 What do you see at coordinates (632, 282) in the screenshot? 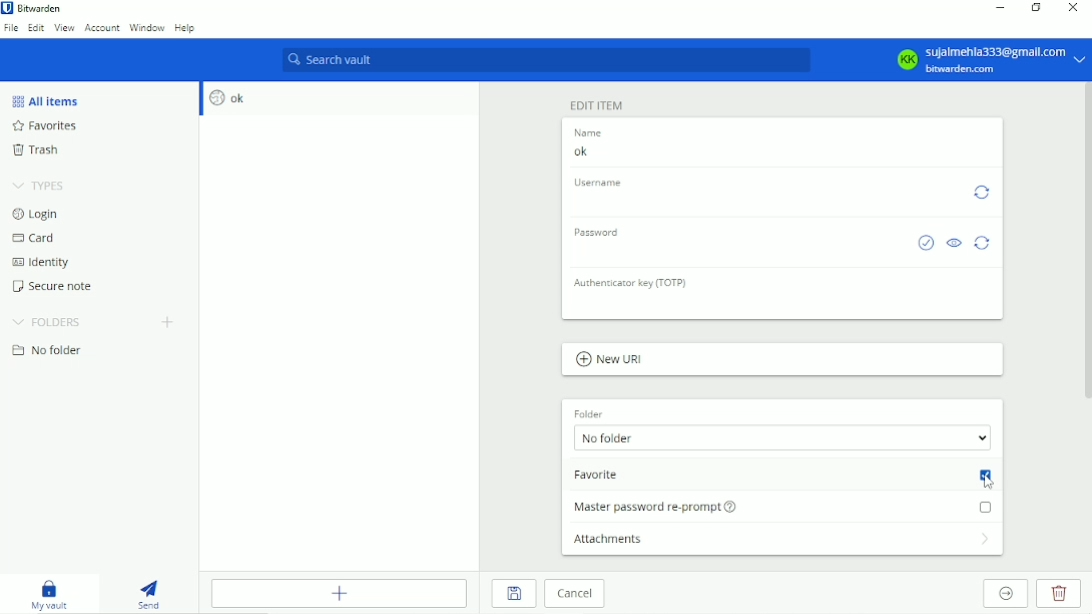
I see `Authenticator key (TOTP)` at bounding box center [632, 282].